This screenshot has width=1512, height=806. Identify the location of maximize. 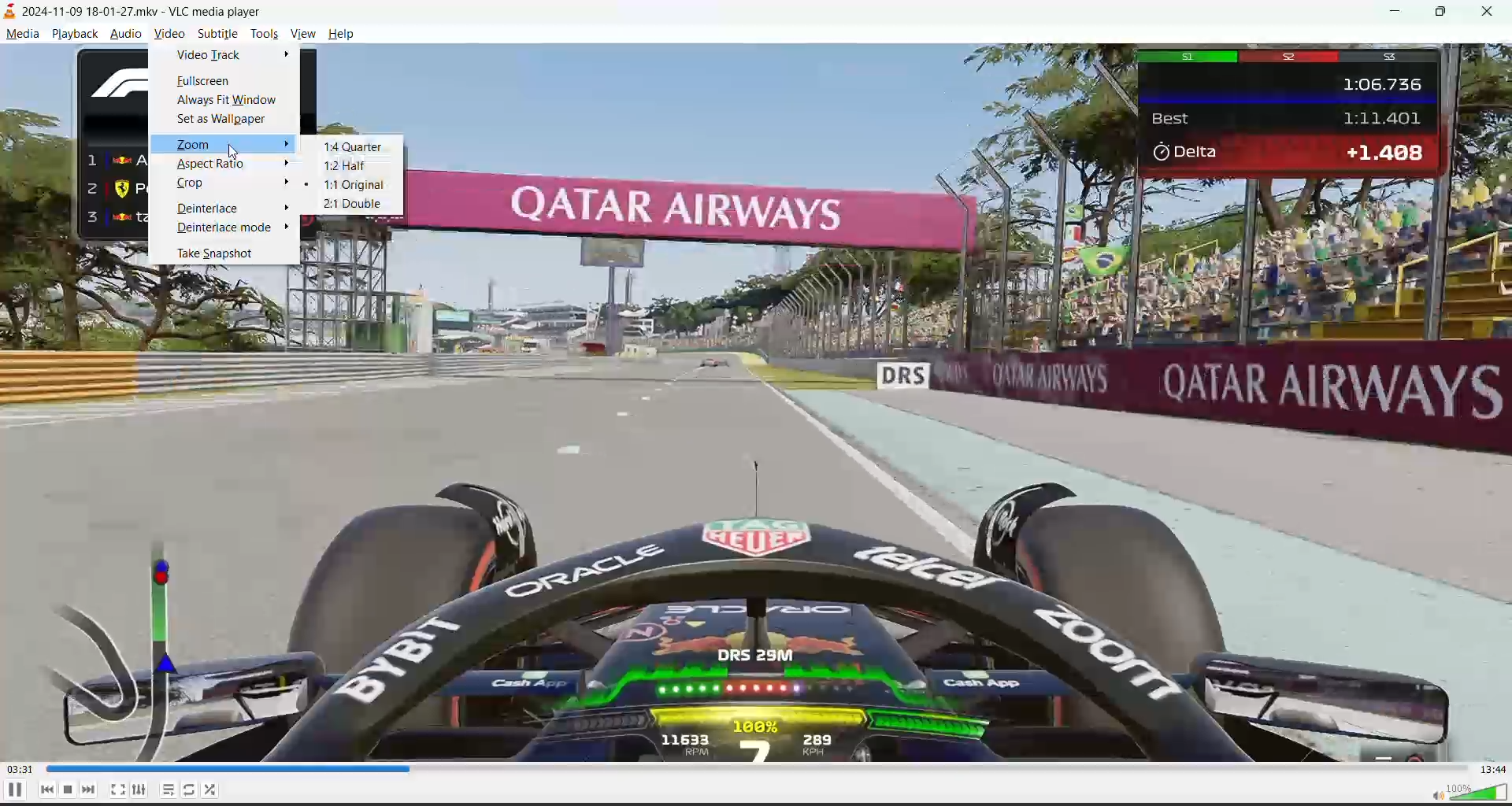
(1444, 13).